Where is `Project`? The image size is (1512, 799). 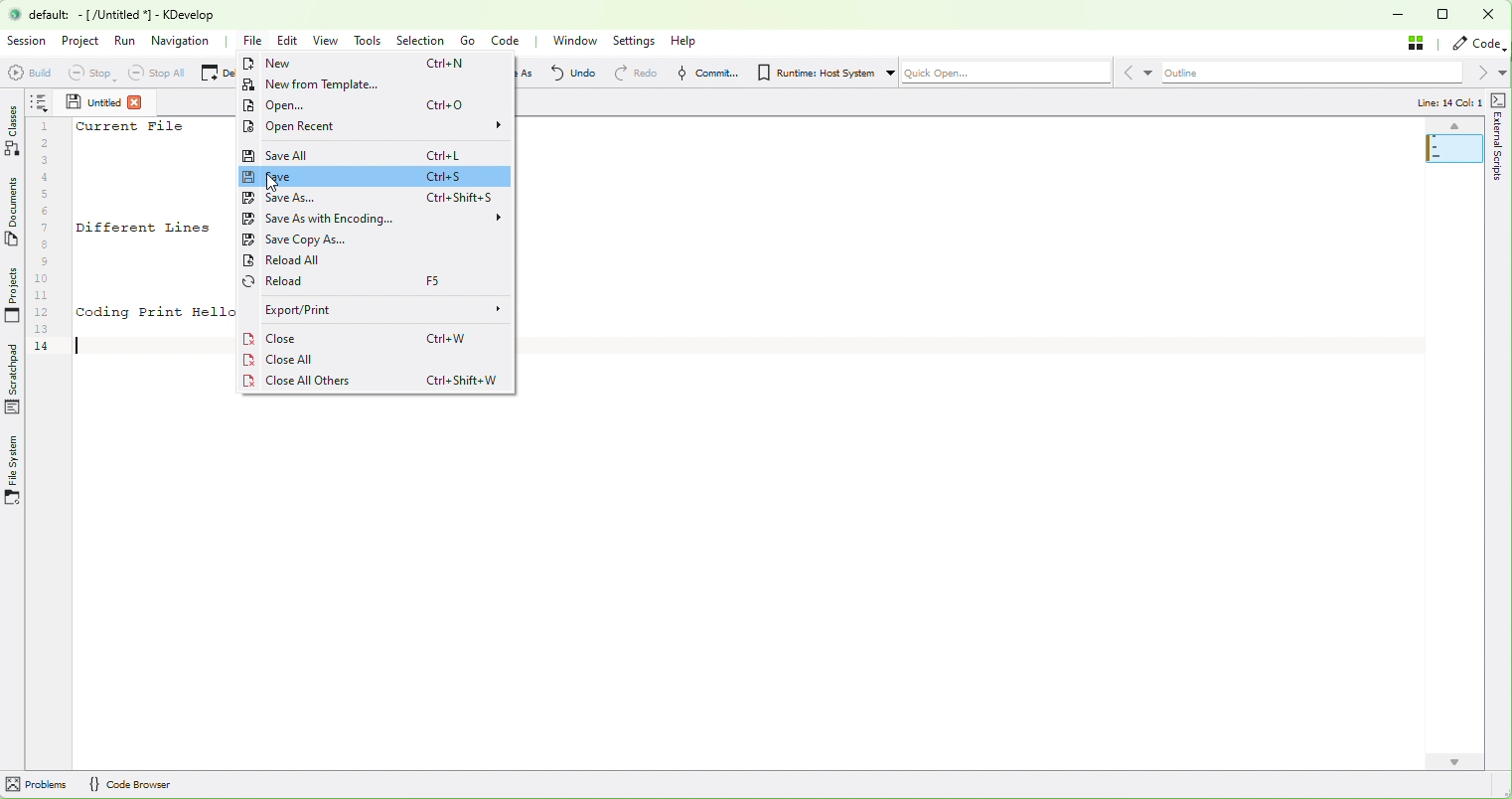 Project is located at coordinates (81, 42).